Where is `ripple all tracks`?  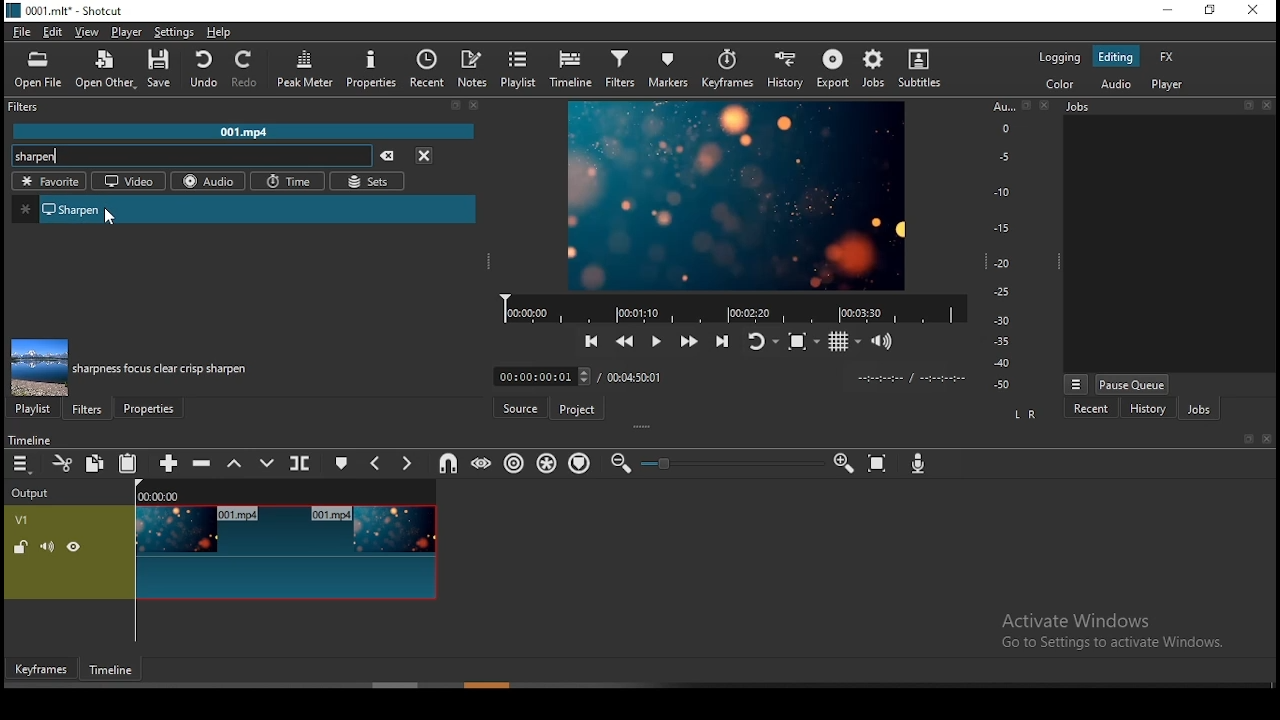
ripple all tracks is located at coordinates (549, 463).